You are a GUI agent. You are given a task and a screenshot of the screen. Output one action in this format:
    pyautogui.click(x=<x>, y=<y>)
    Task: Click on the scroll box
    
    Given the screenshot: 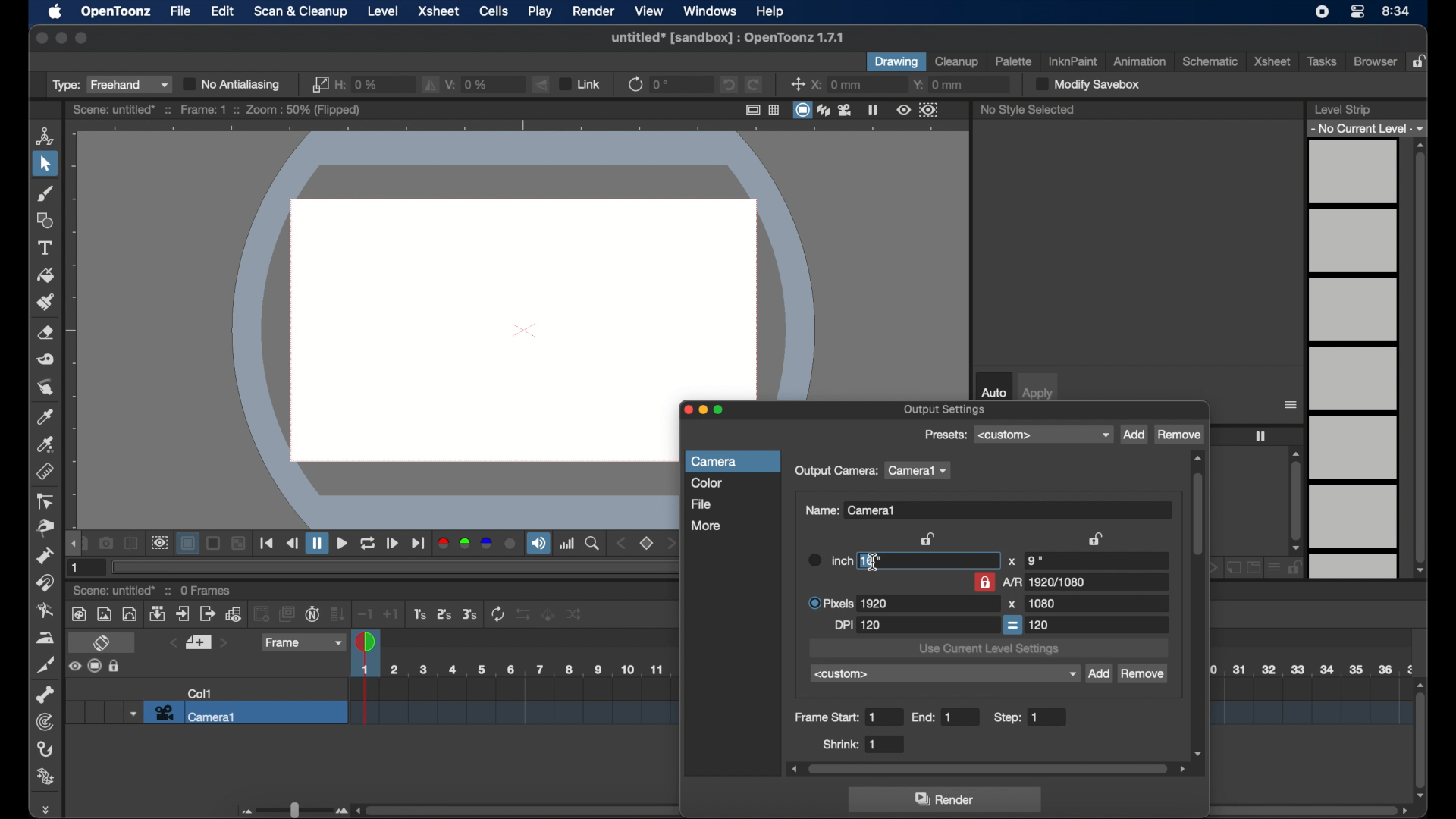 What is the action you would take?
    pyautogui.click(x=1296, y=500)
    